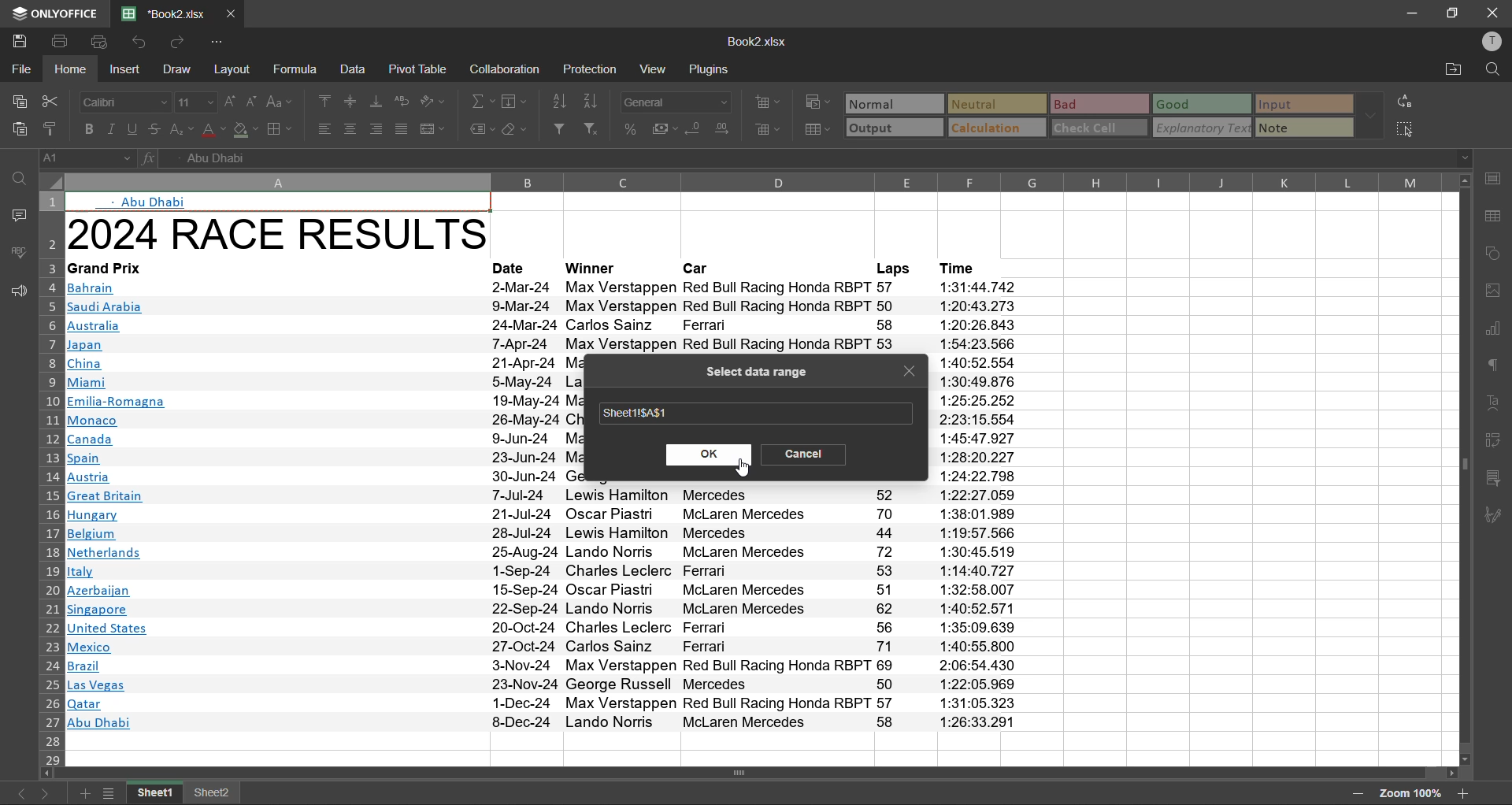 The image size is (1512, 805). Describe the element at coordinates (1410, 793) in the screenshot. I see `zoom factor` at that location.